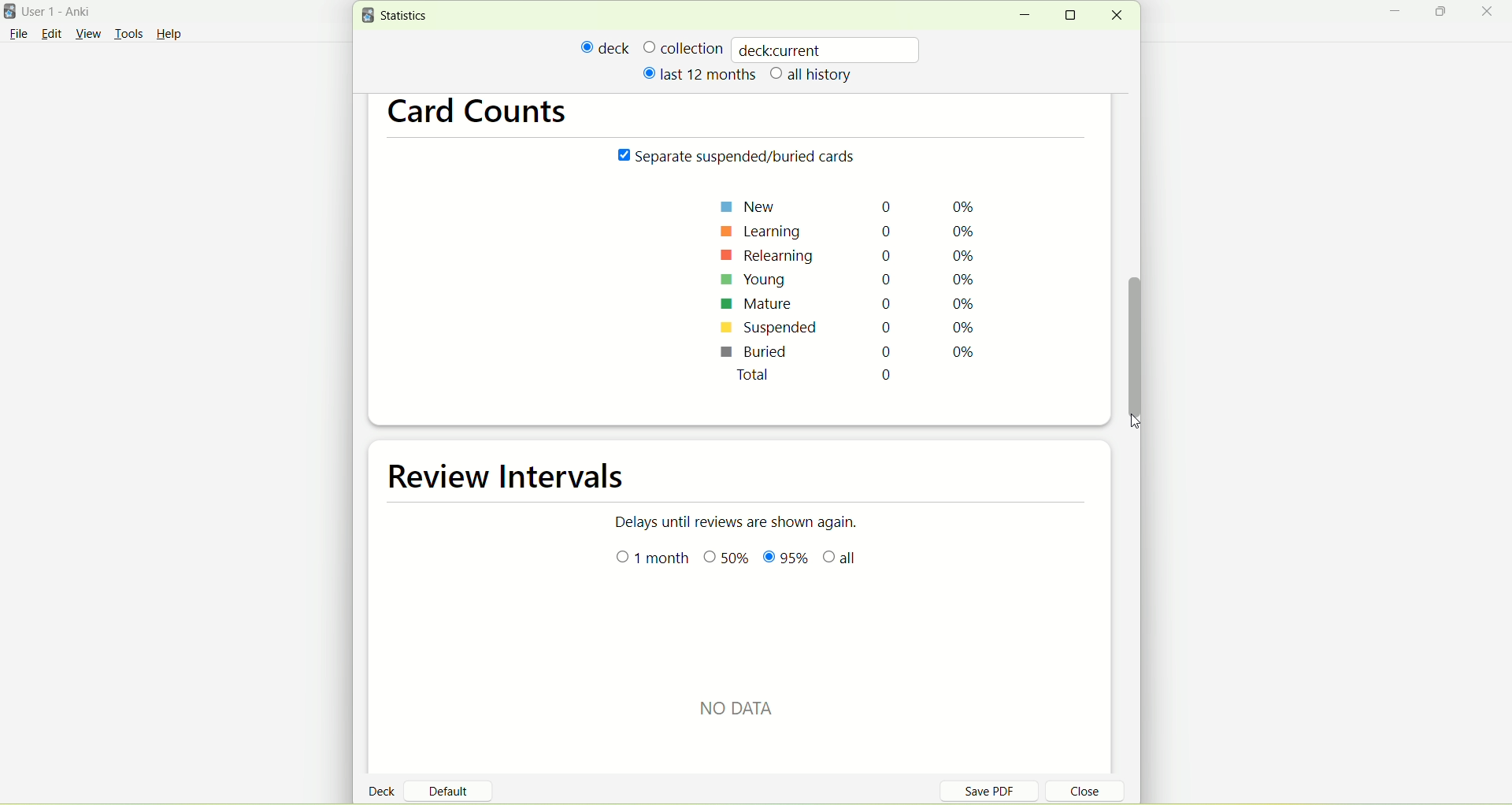 The image size is (1512, 805). Describe the element at coordinates (1140, 425) in the screenshot. I see `cursor` at that location.